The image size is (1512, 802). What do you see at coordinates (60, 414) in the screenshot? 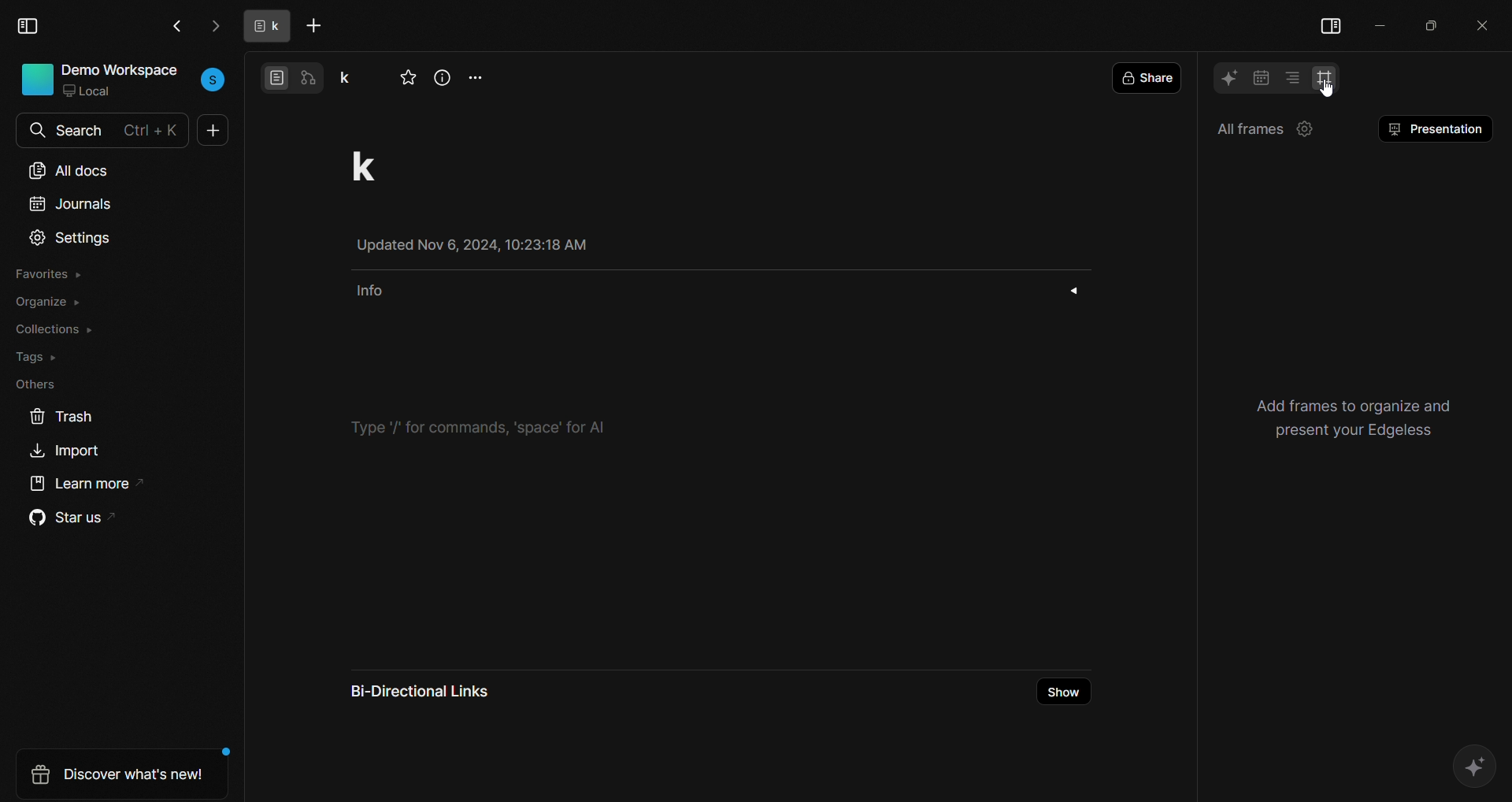
I see `trash` at bounding box center [60, 414].